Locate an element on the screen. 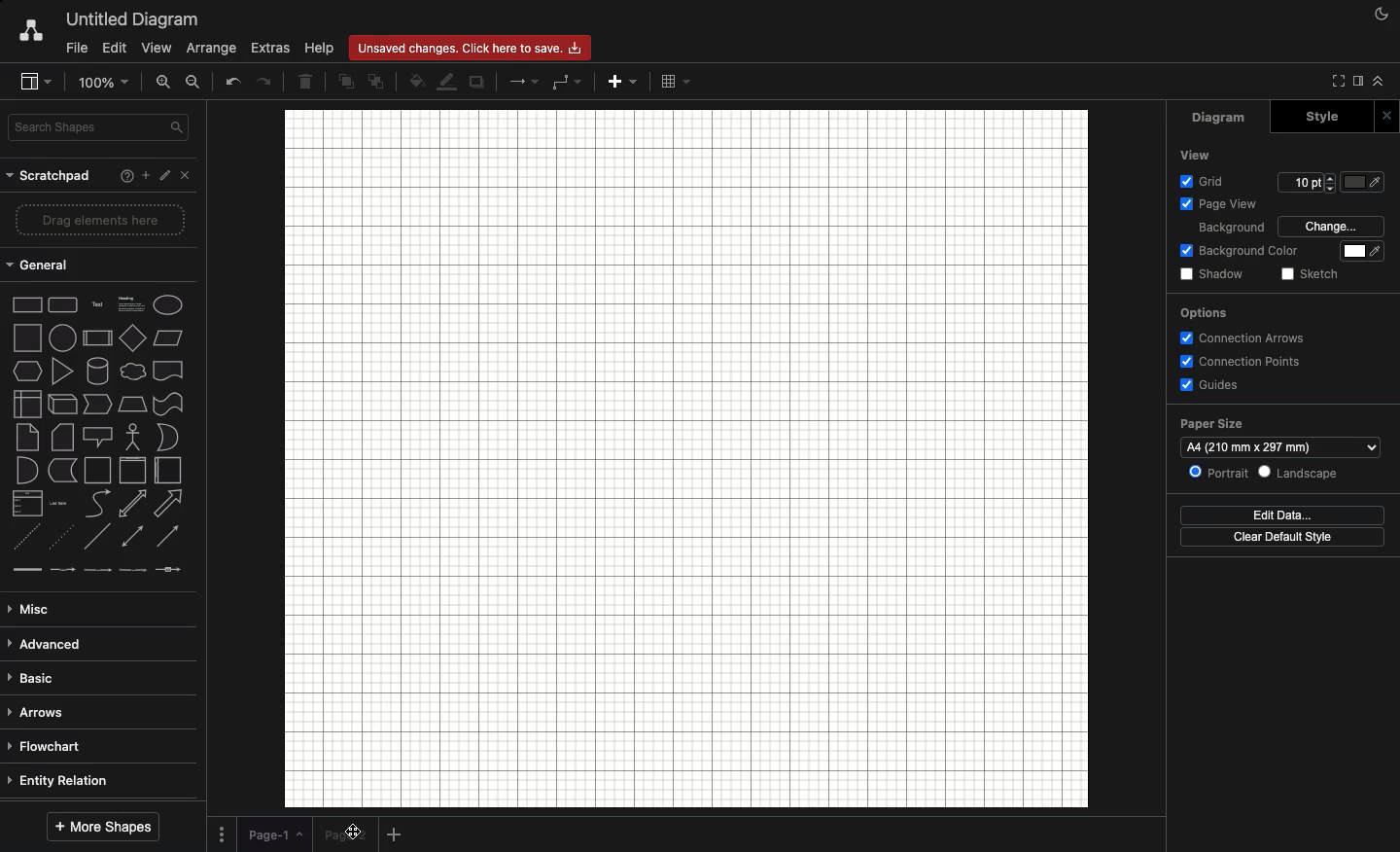  Connection arrows is located at coordinates (1245, 336).